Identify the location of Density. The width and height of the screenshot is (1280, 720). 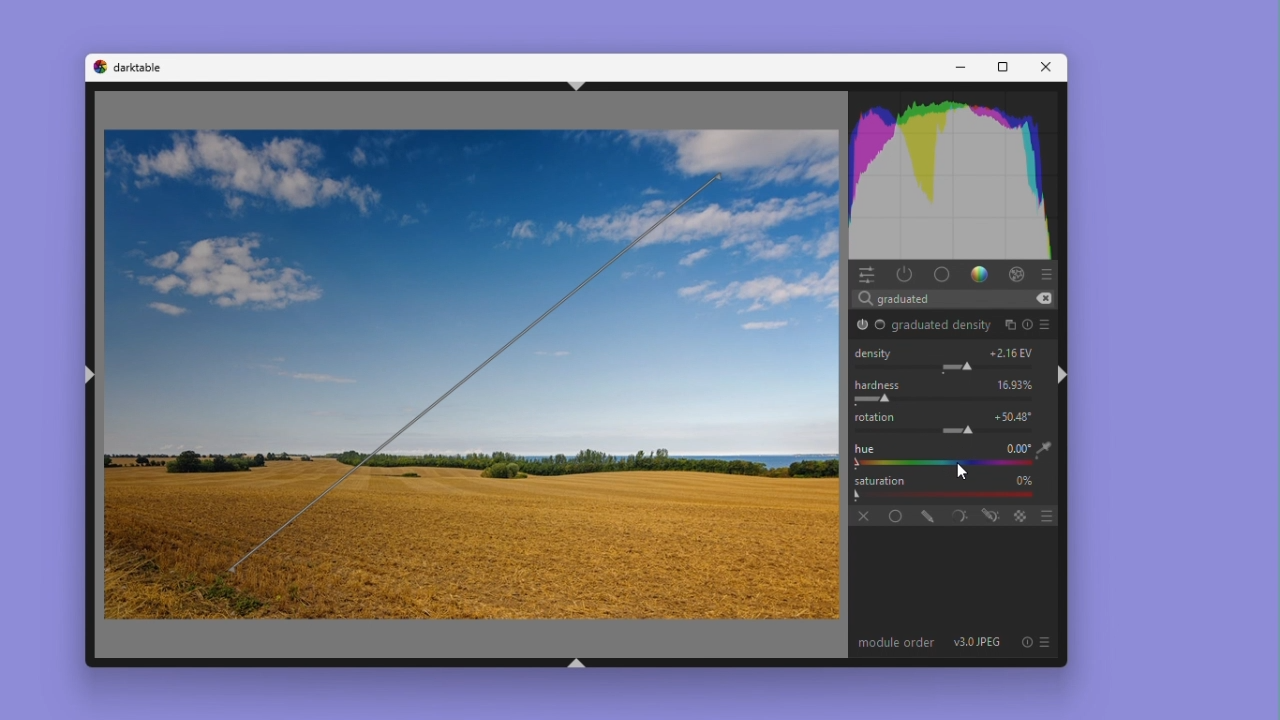
(876, 352).